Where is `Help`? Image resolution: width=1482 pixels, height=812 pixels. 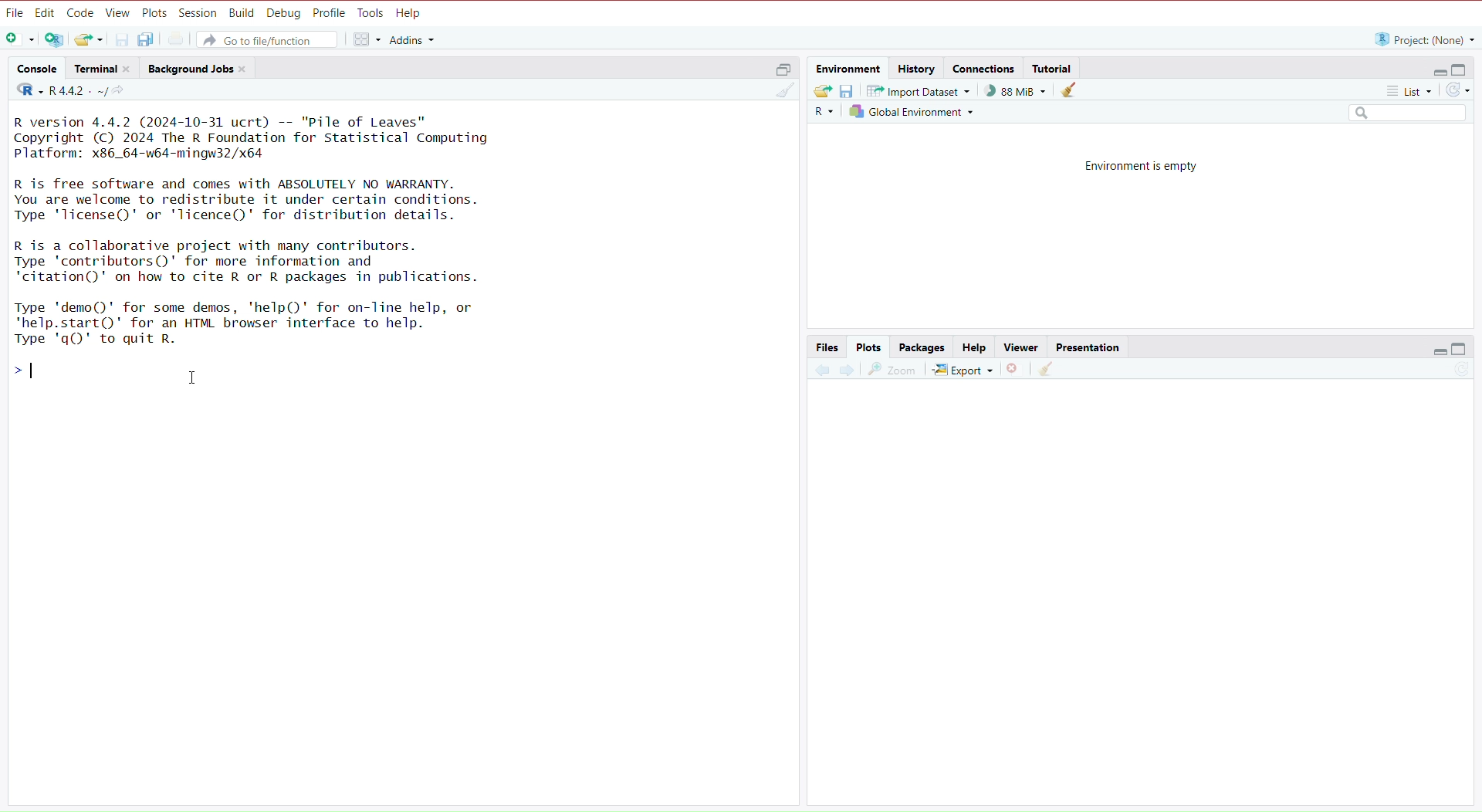 Help is located at coordinates (974, 347).